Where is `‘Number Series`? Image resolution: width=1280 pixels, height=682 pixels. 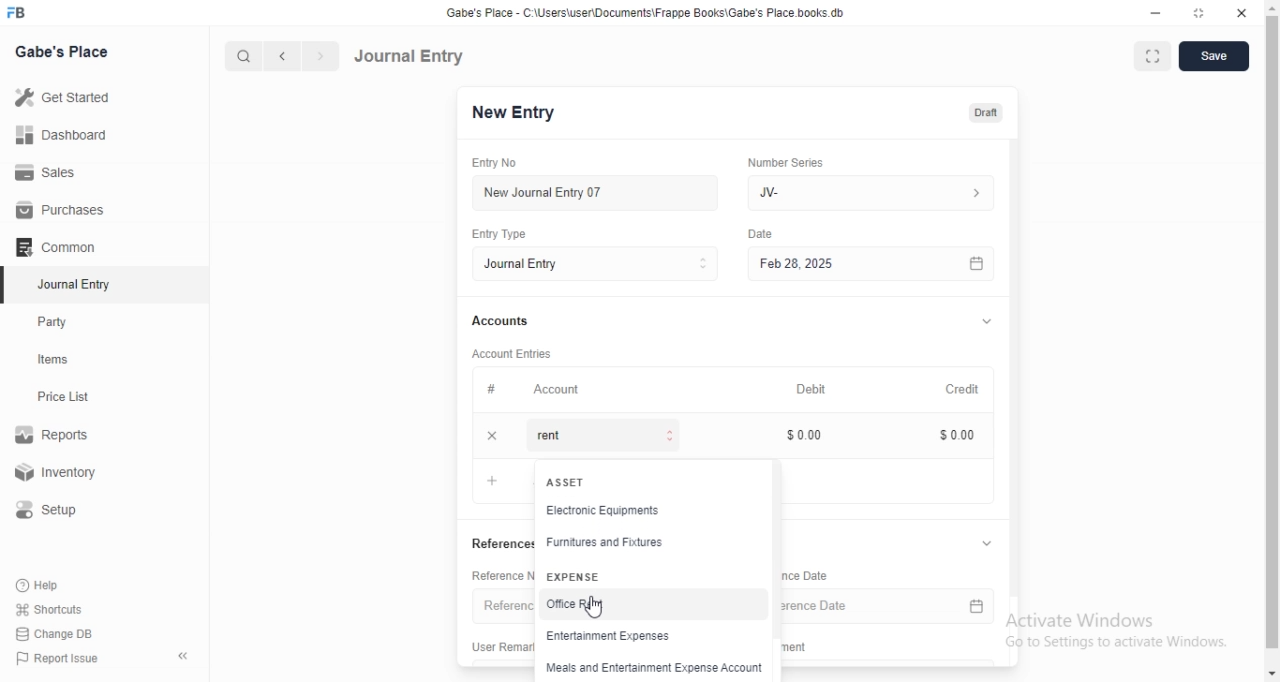 ‘Number Series is located at coordinates (792, 162).